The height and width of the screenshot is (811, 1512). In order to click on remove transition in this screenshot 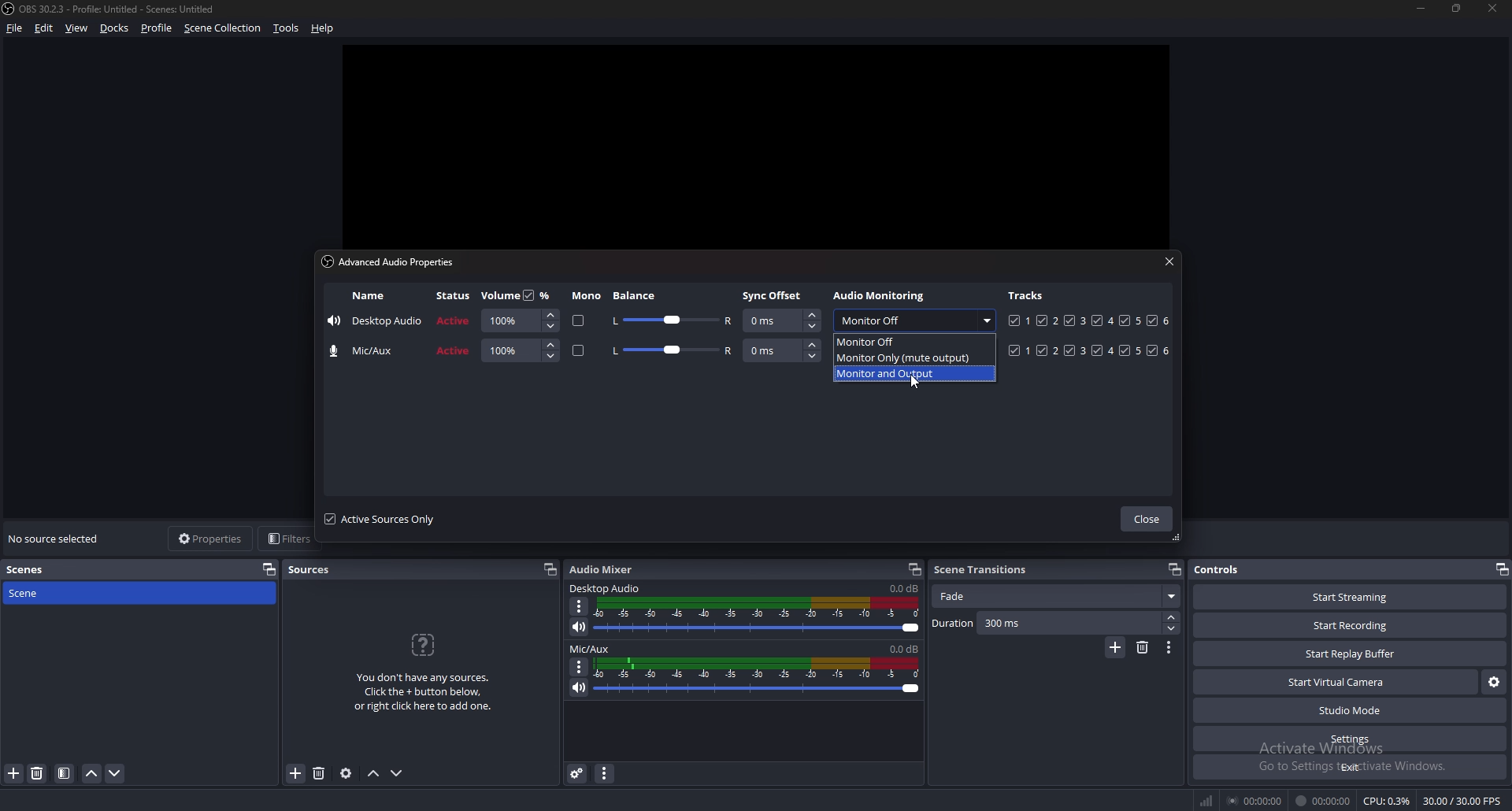, I will do `click(1142, 648)`.